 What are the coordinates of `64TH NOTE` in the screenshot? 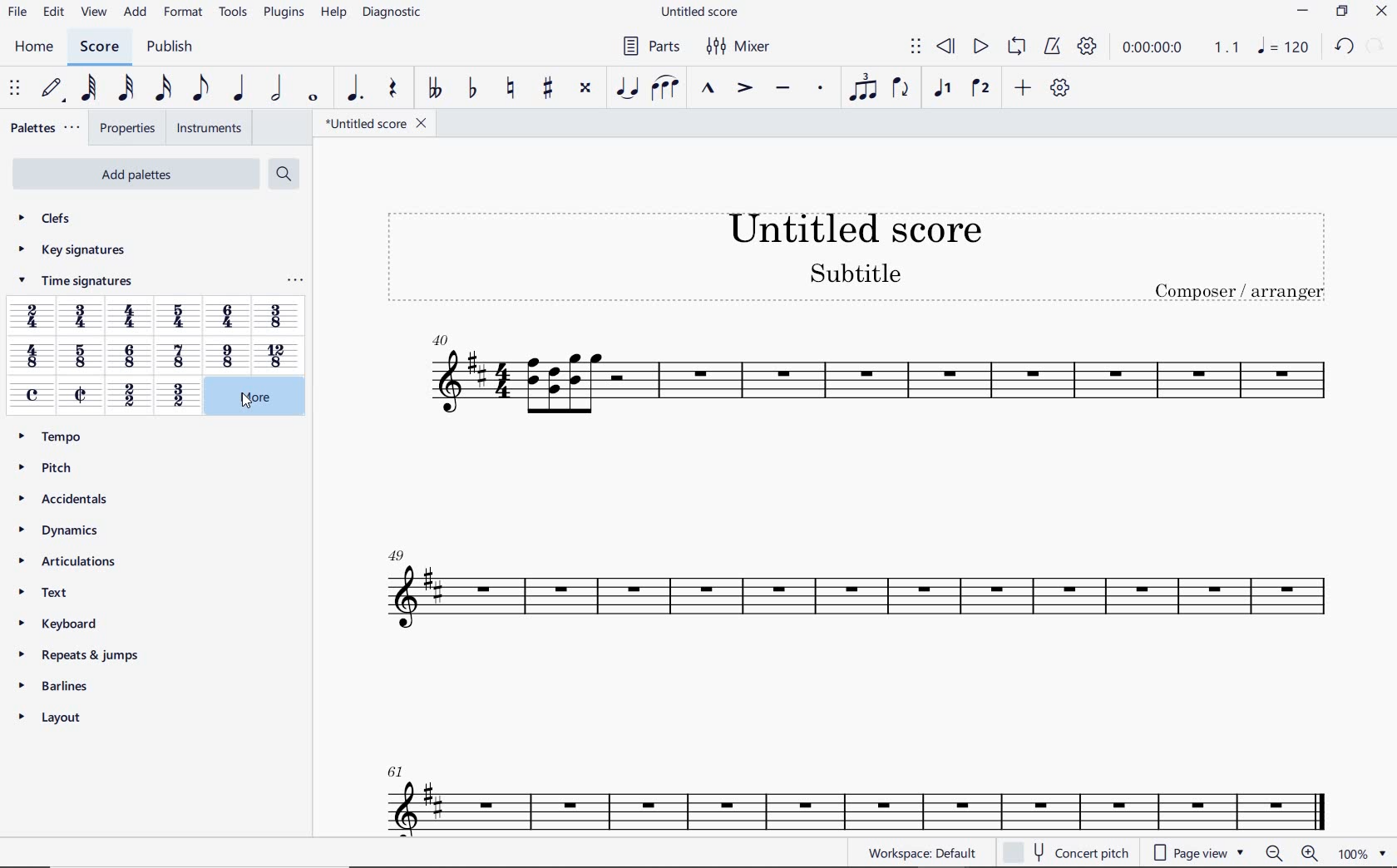 It's located at (88, 88).